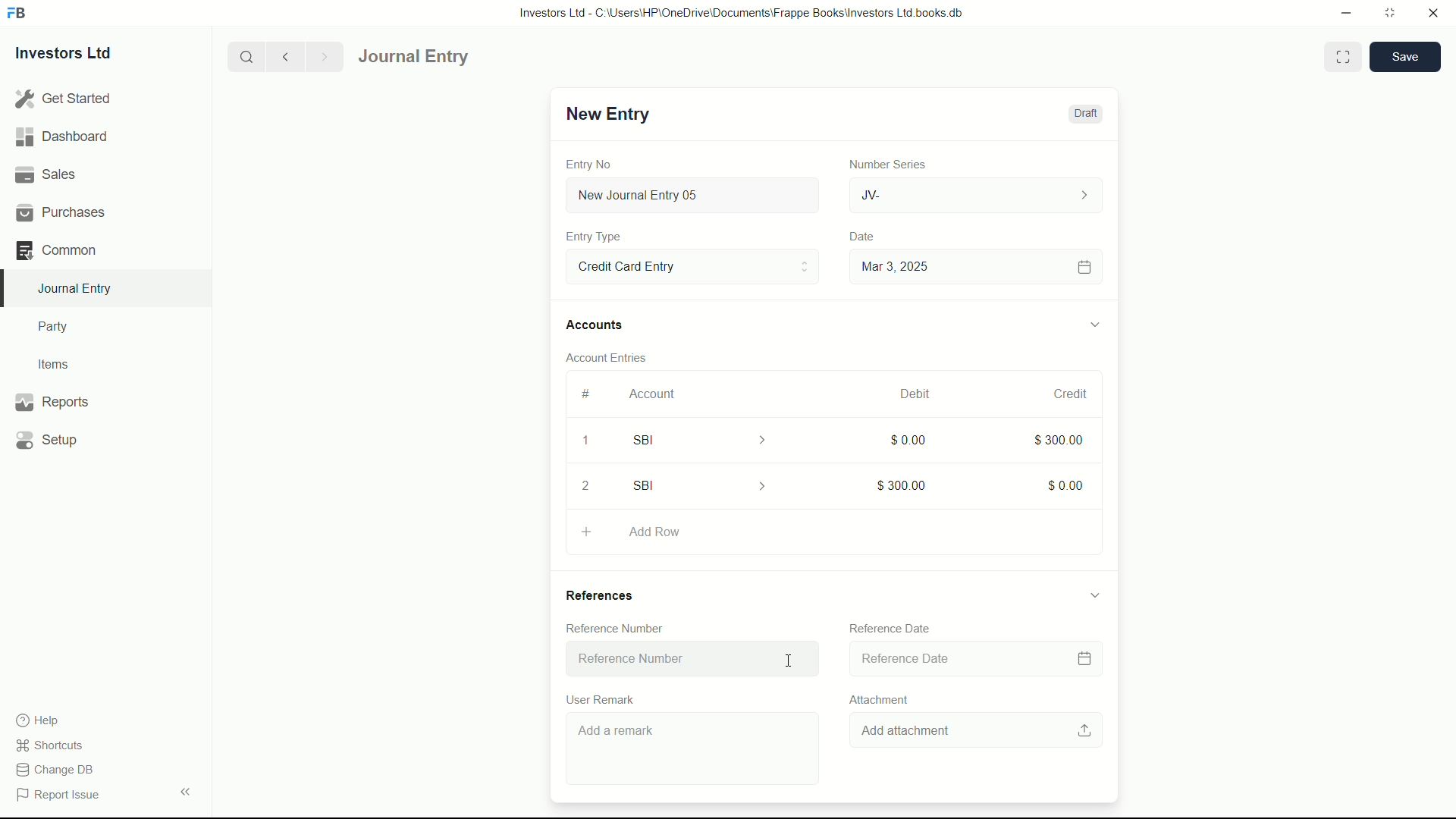 The height and width of the screenshot is (819, 1456). What do you see at coordinates (77, 55) in the screenshot?
I see `Investors Ltd` at bounding box center [77, 55].